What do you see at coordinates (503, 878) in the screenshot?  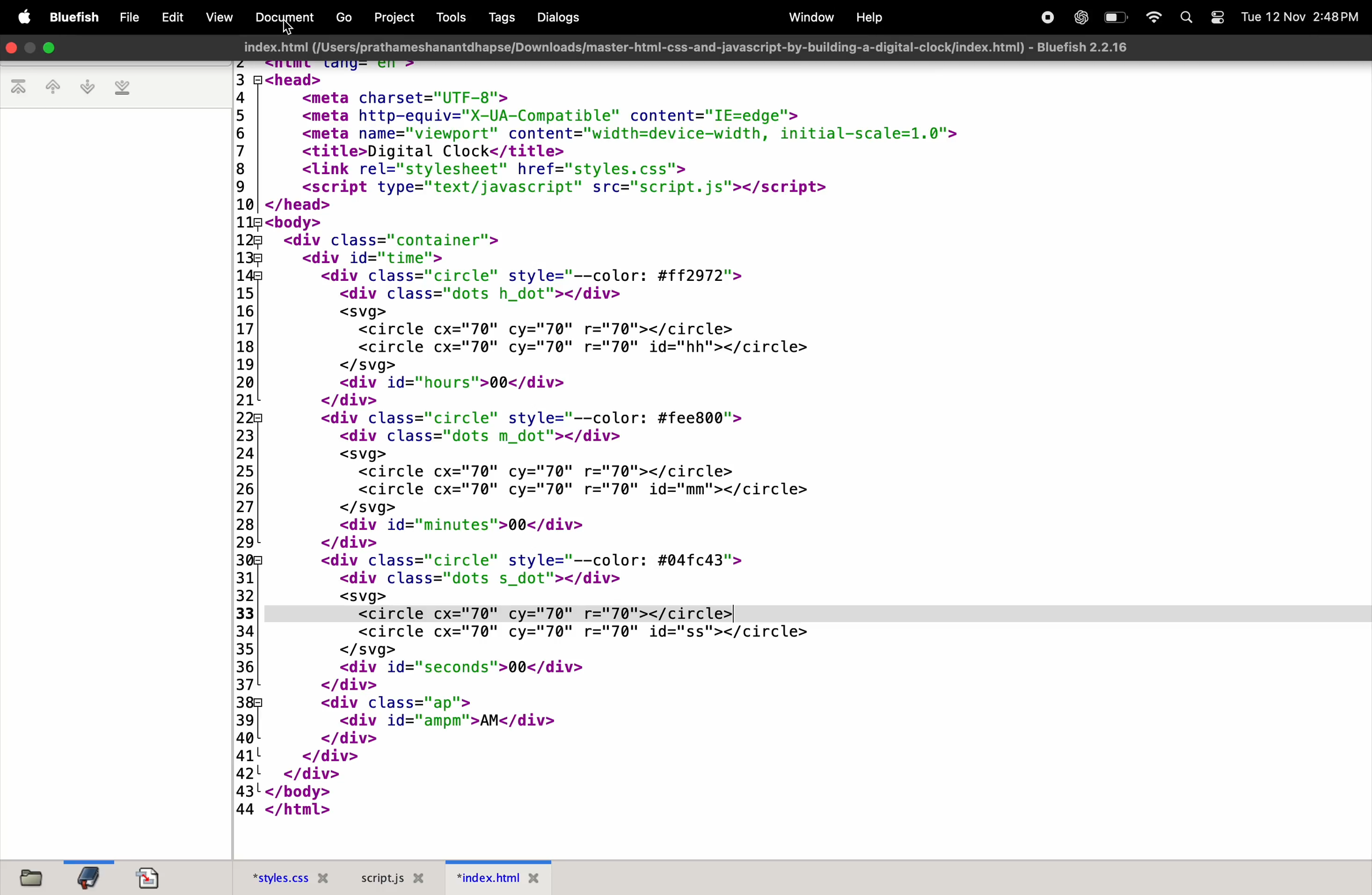 I see `index.html` at bounding box center [503, 878].